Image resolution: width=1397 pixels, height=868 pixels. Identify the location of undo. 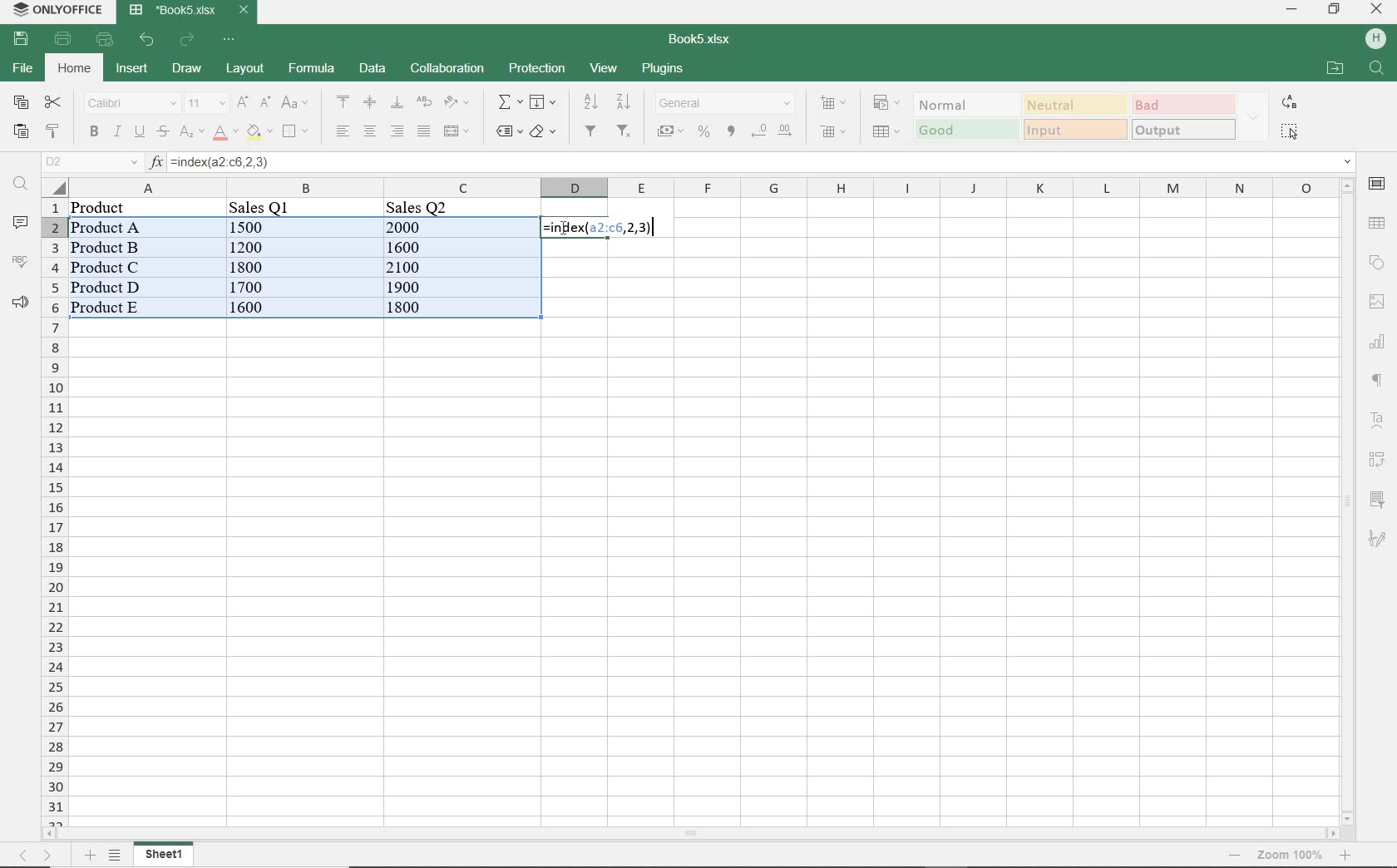
(146, 40).